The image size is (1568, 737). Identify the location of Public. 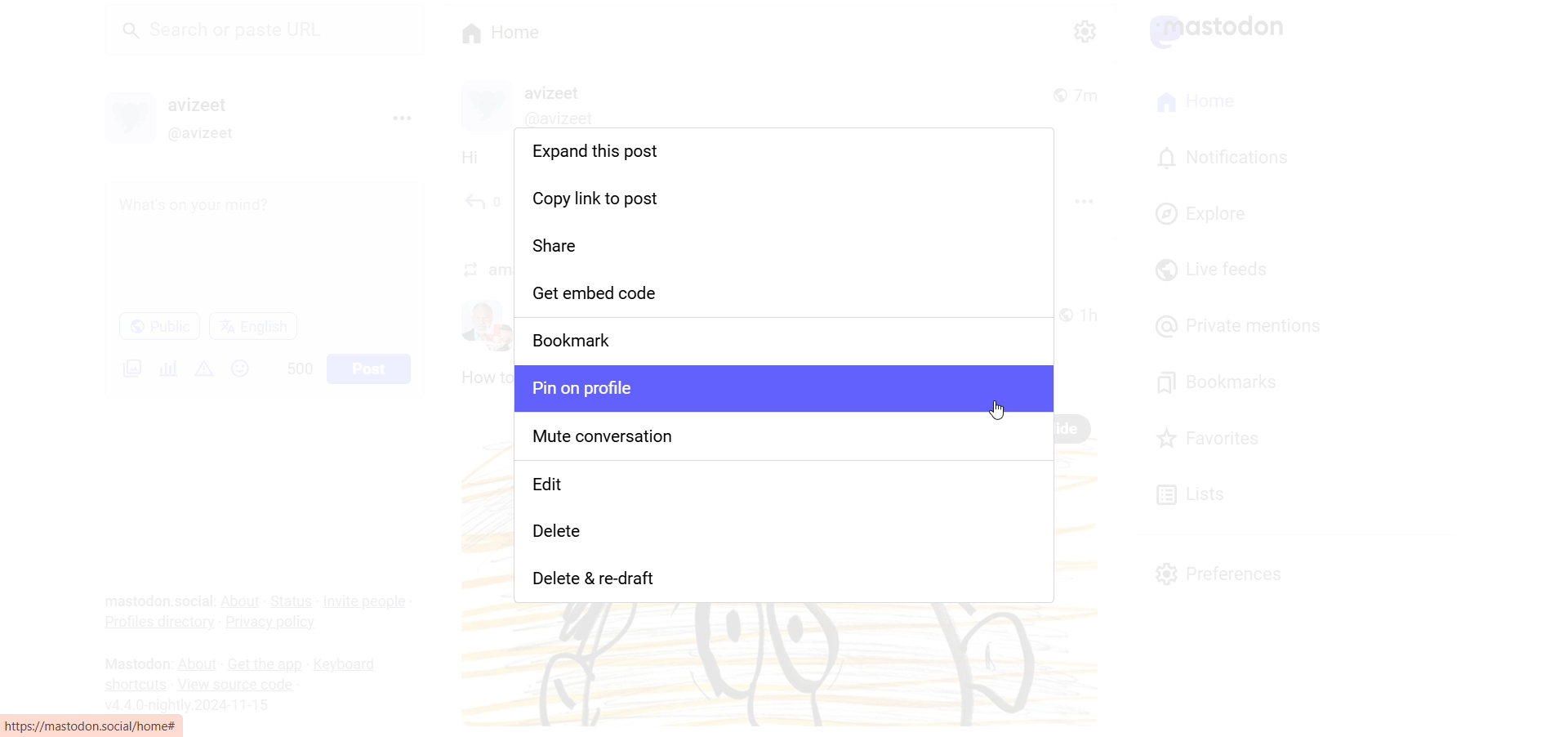
(158, 326).